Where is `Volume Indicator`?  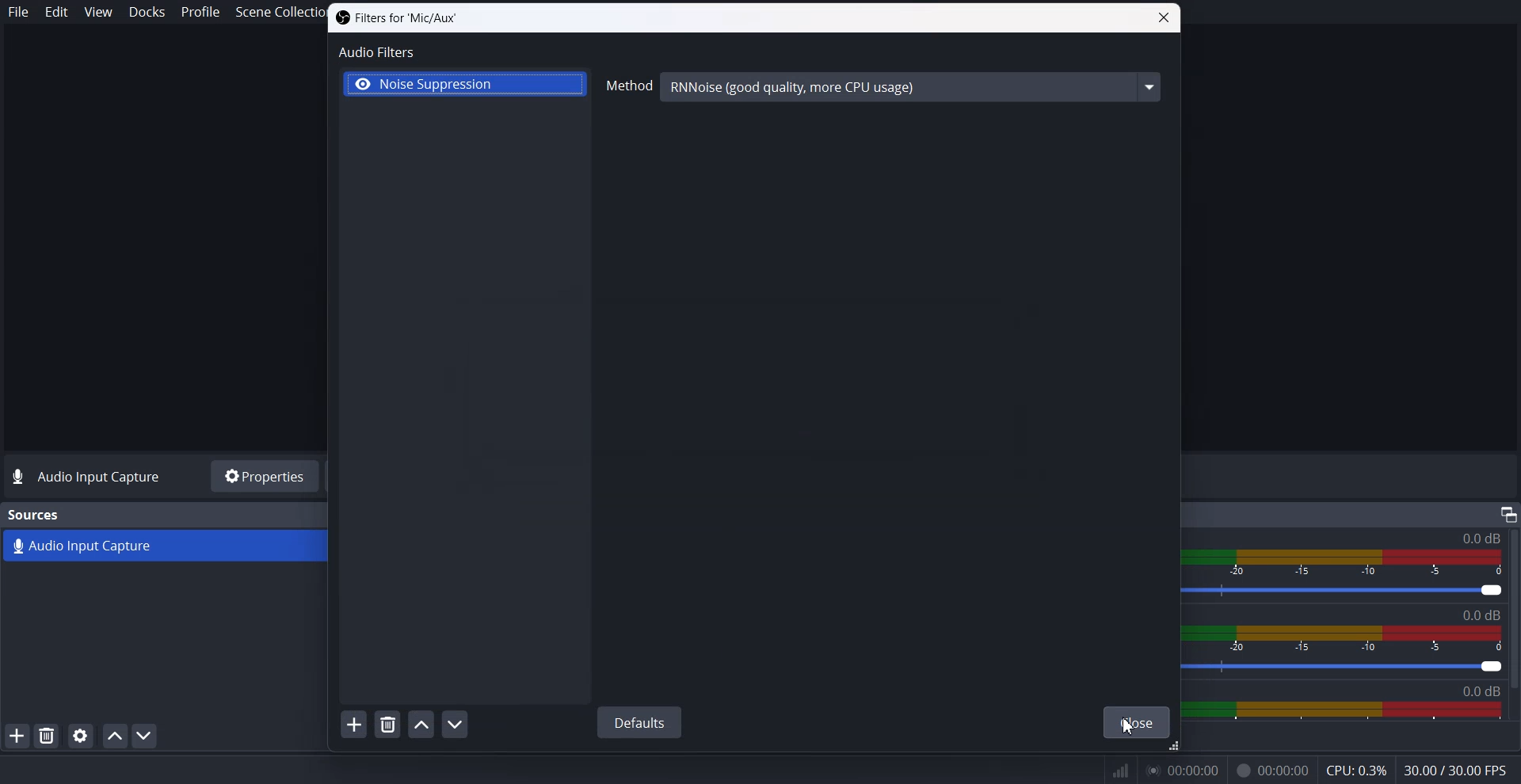
Volume Indicator is located at coordinates (1355, 640).